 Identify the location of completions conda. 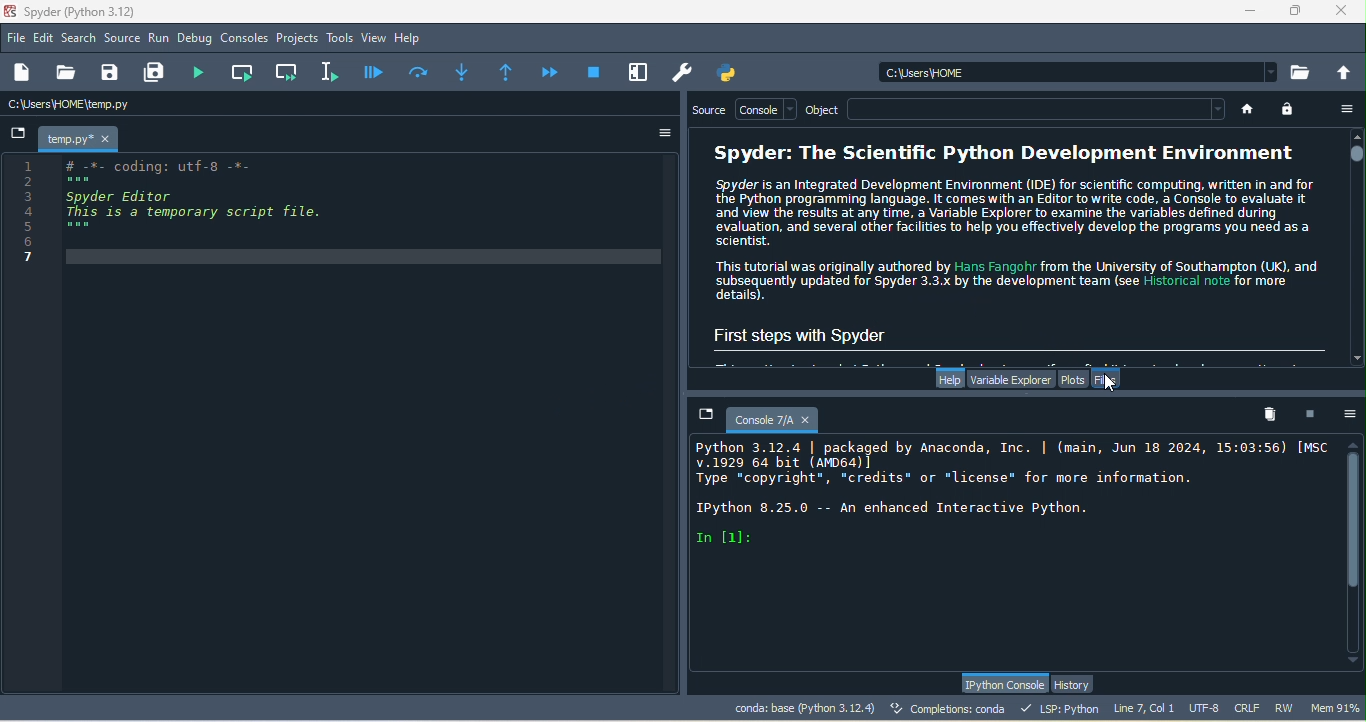
(951, 710).